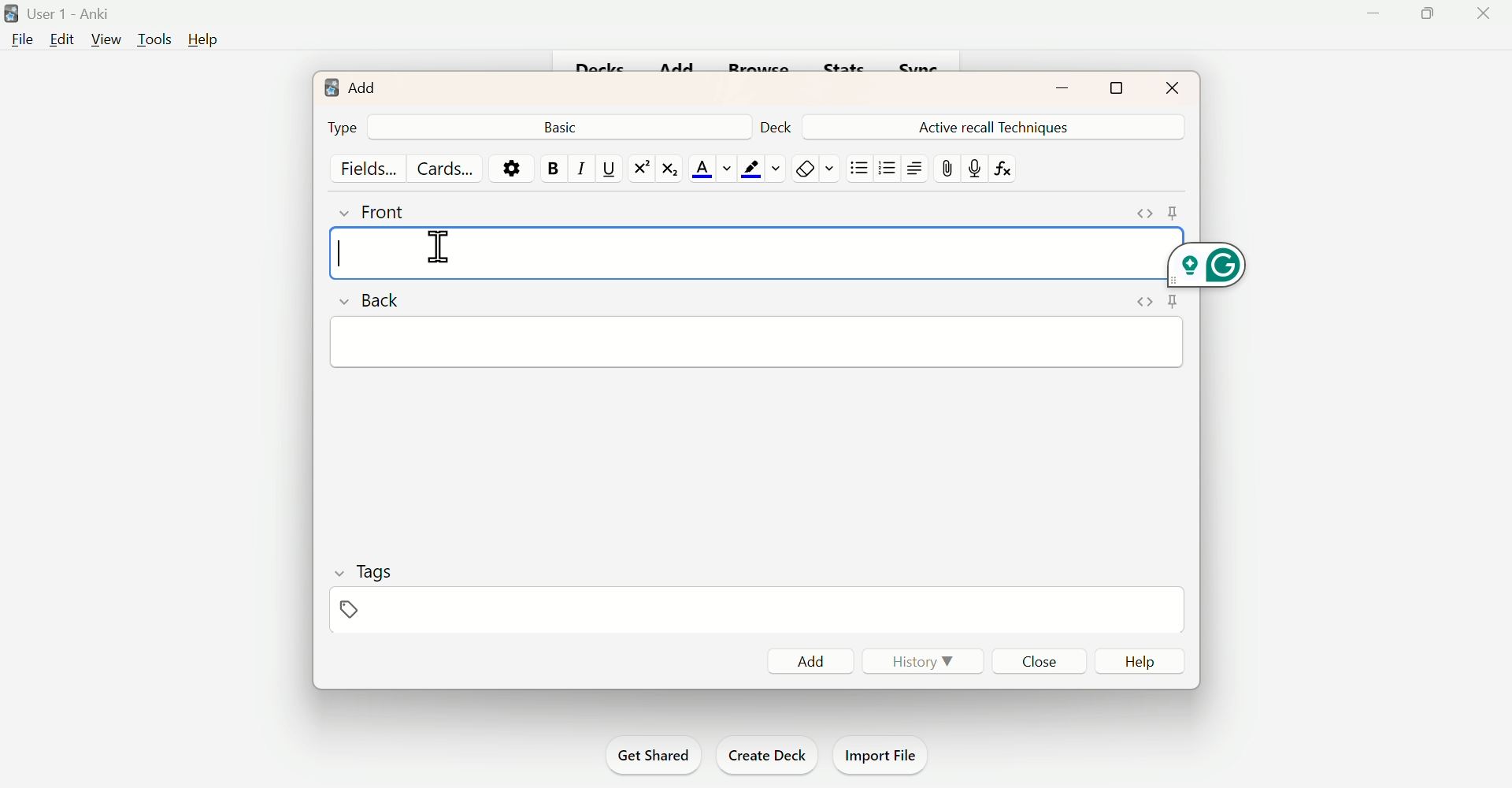 The width and height of the screenshot is (1512, 788). Describe the element at coordinates (768, 754) in the screenshot. I see `Create Deck` at that location.